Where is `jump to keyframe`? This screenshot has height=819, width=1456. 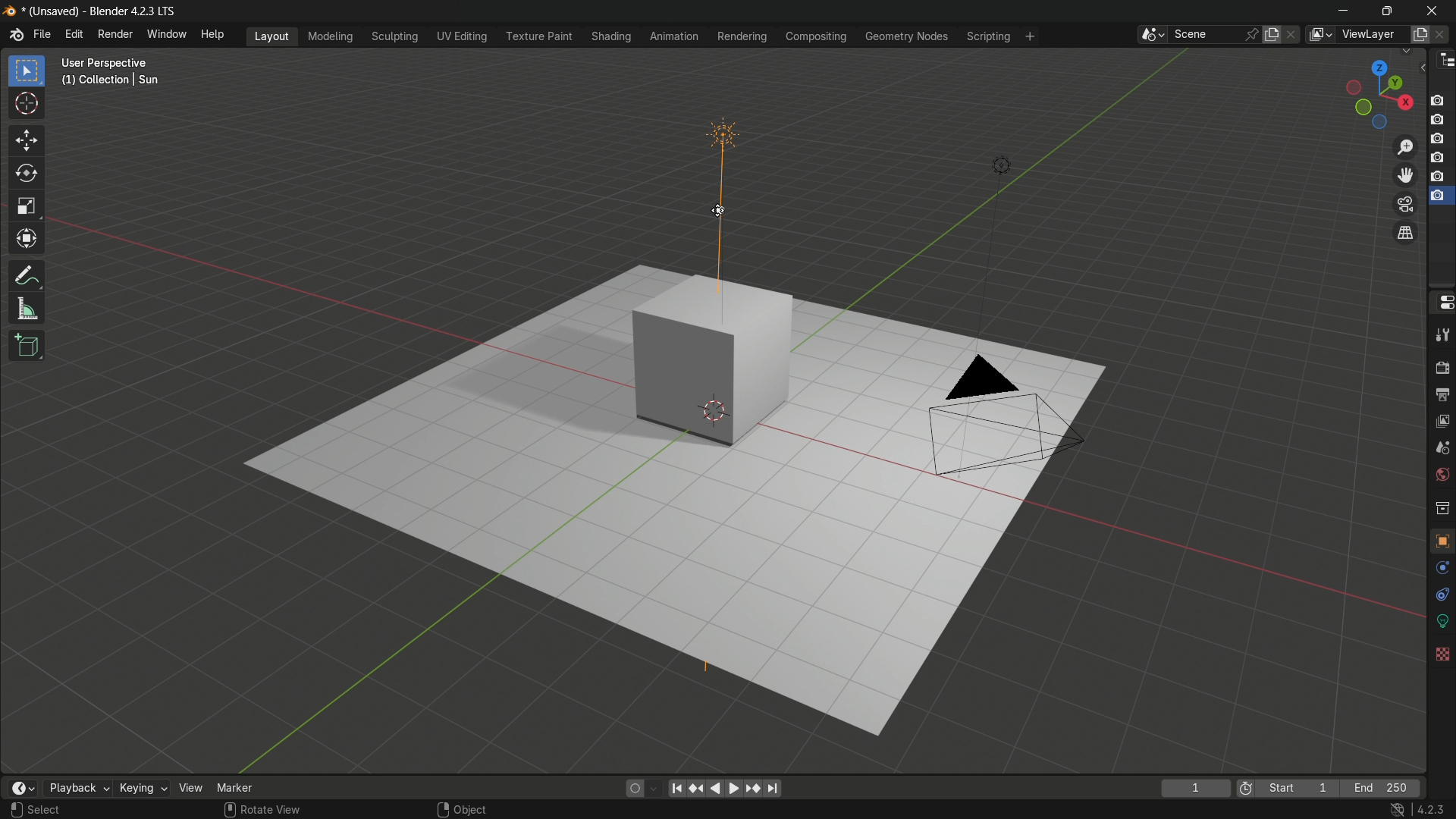 jump to keyframe is located at coordinates (698, 790).